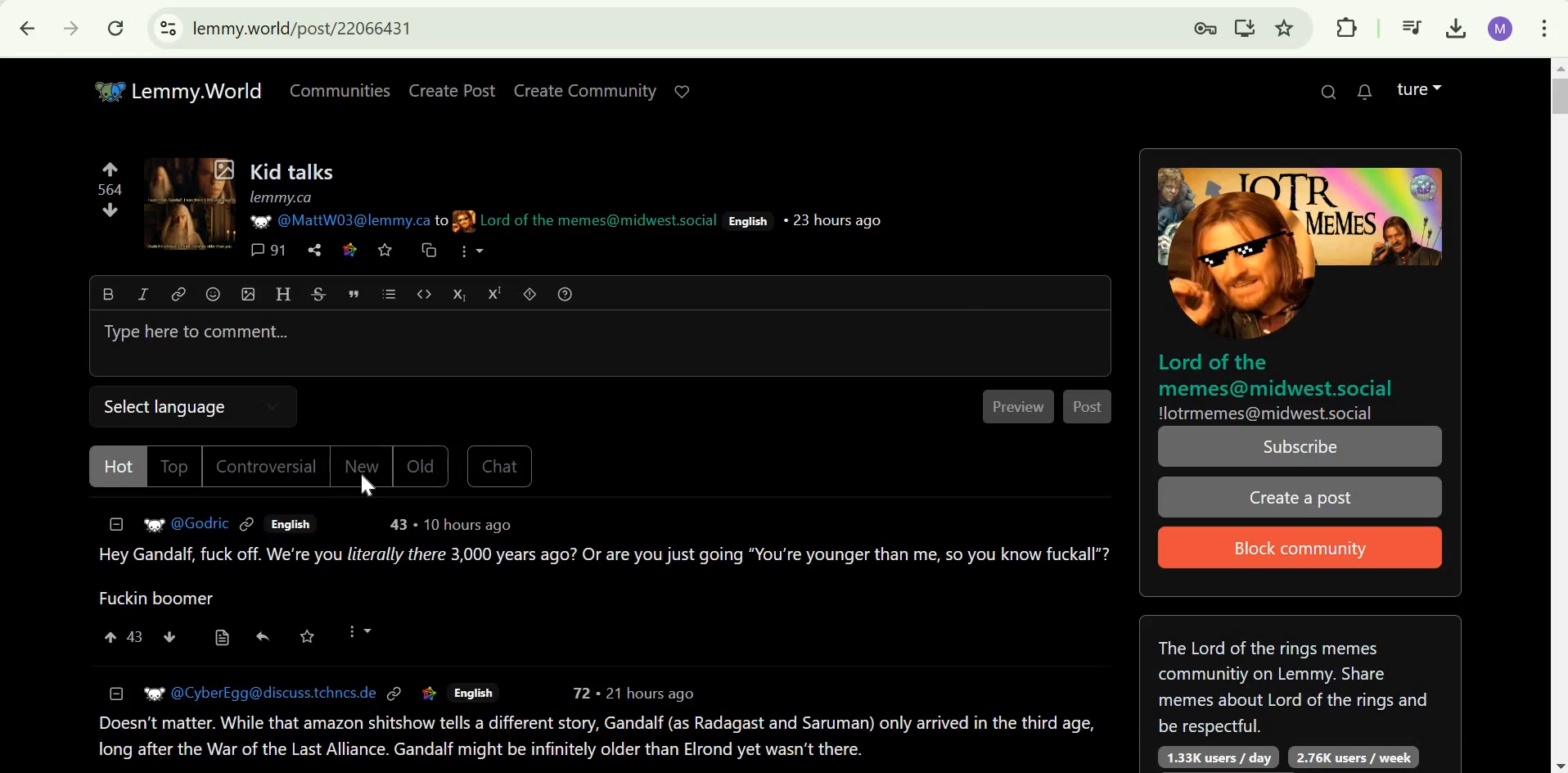 This screenshot has width=1568, height=773. Describe the element at coordinates (1419, 88) in the screenshot. I see `Lemmy Account` at that location.